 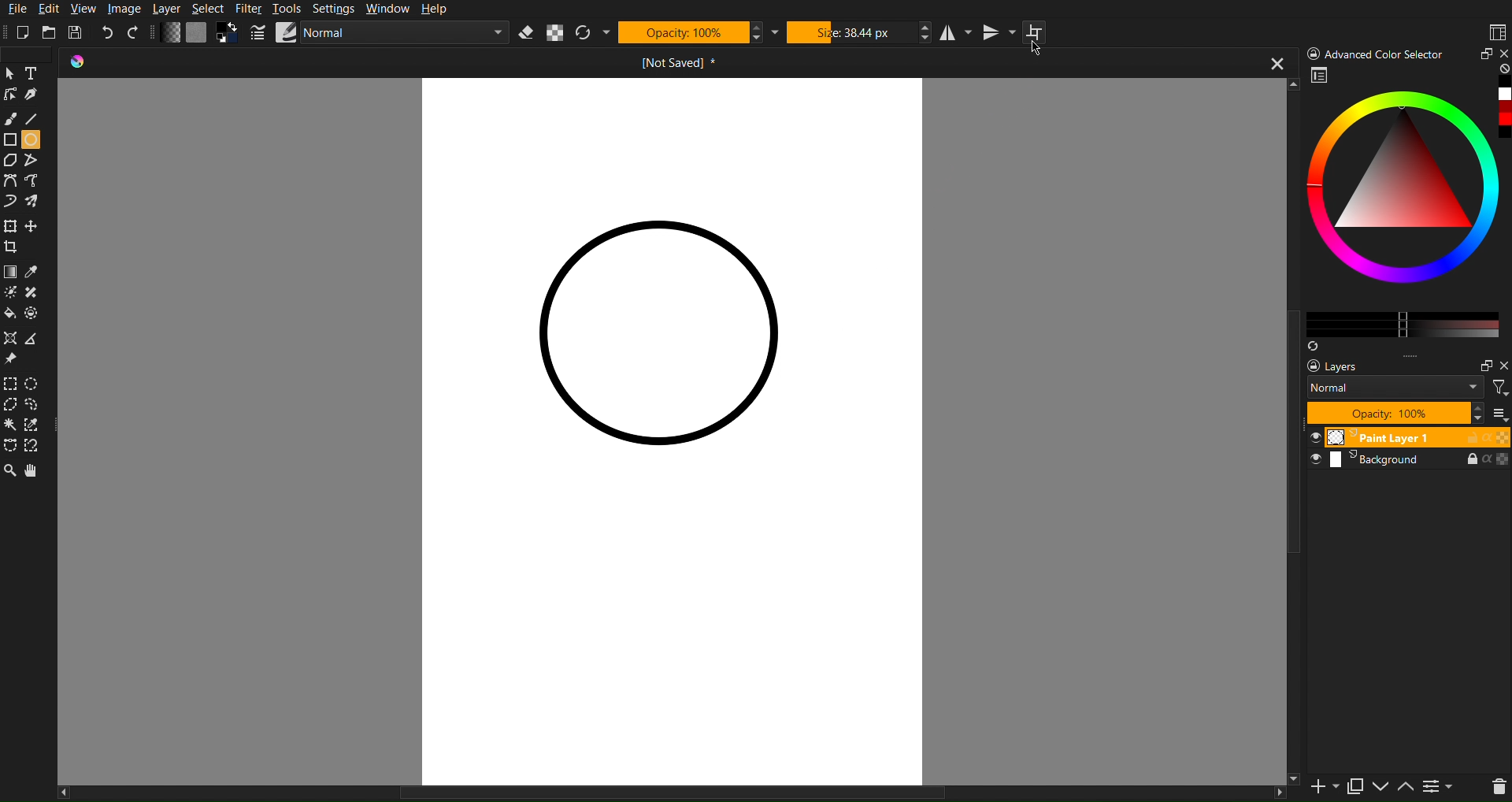 I want to click on none, so click(x=1501, y=69).